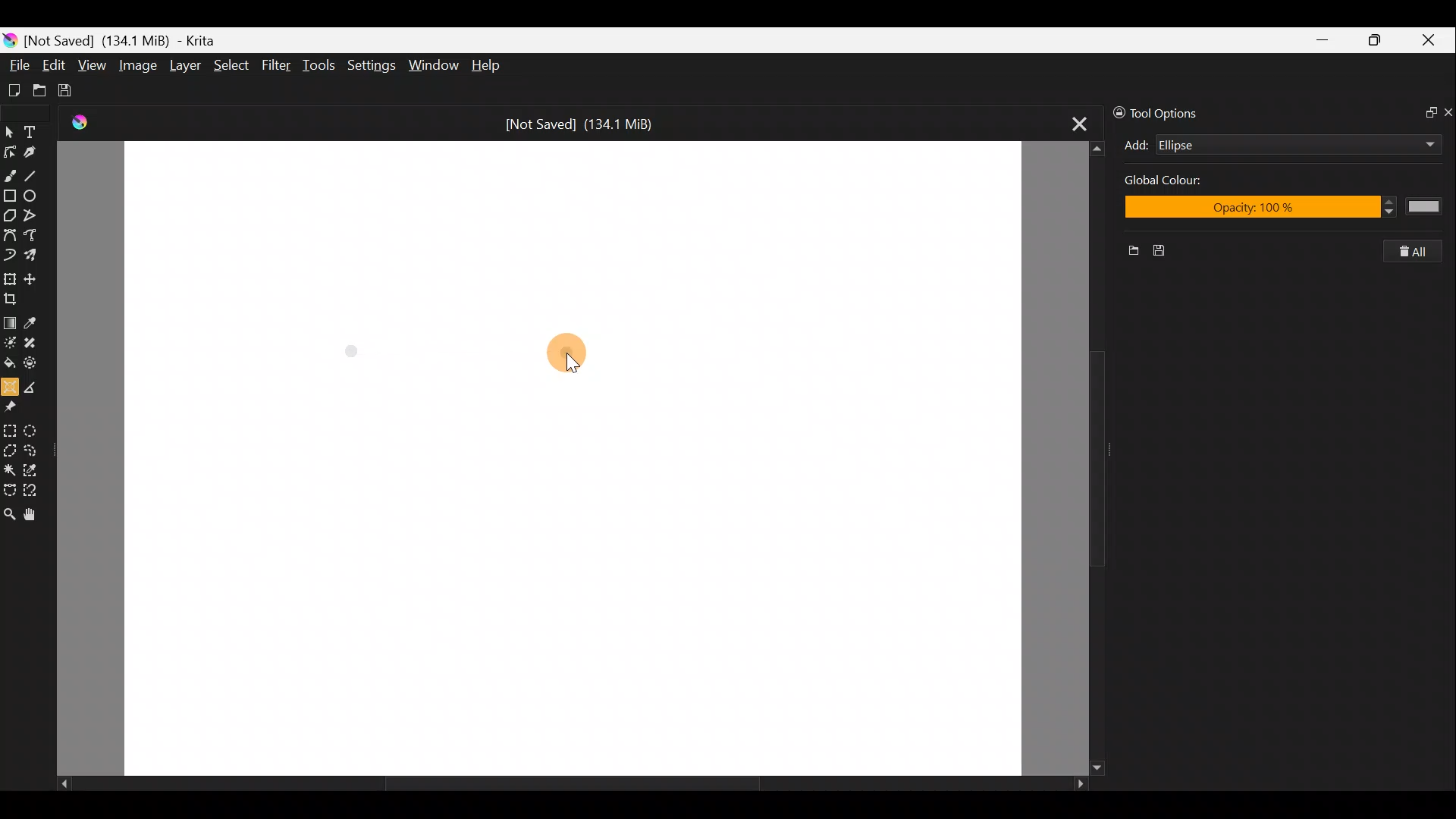  I want to click on Bezier curve selection tool, so click(9, 491).